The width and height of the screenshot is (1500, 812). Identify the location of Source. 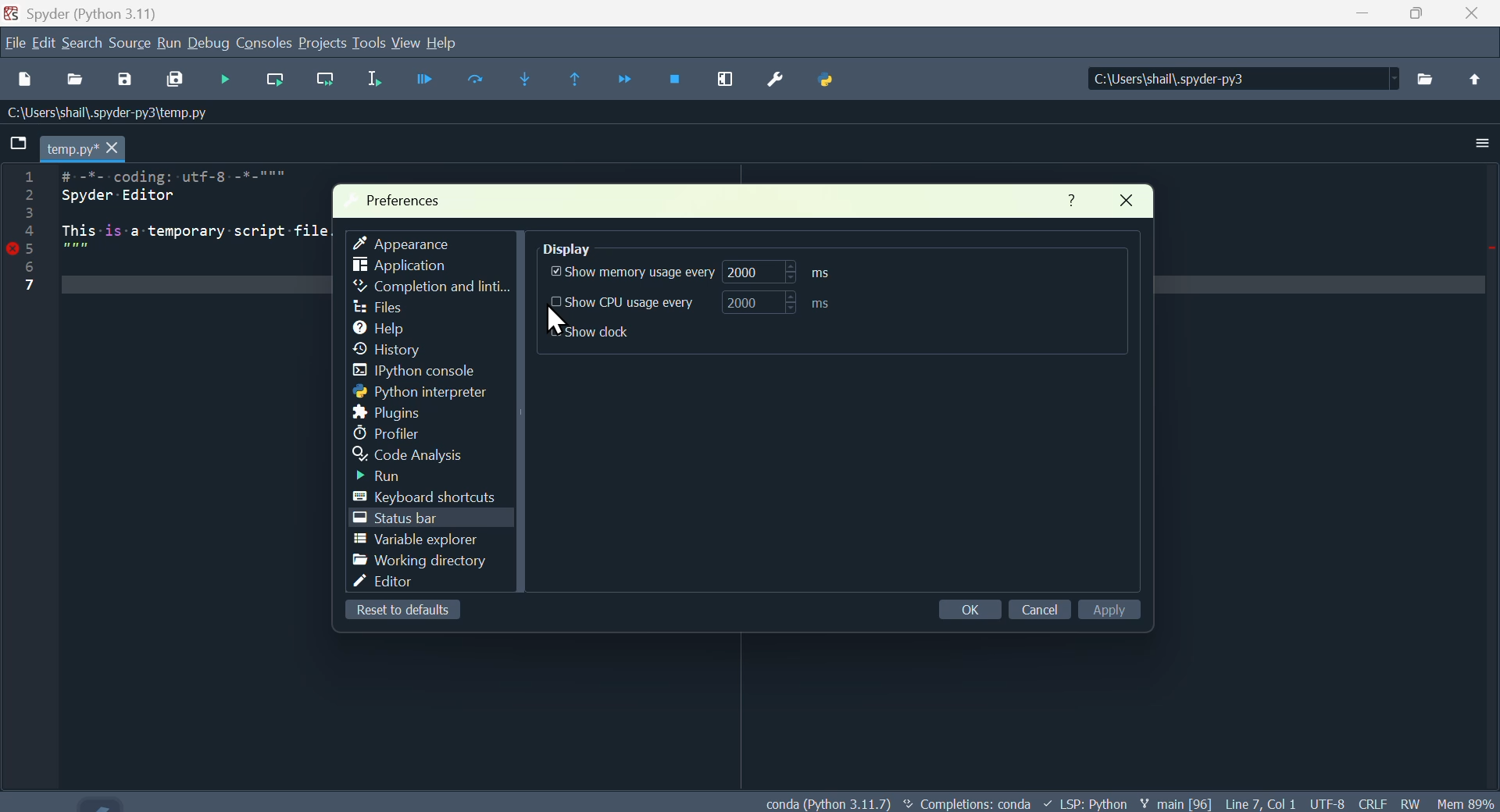
(130, 43).